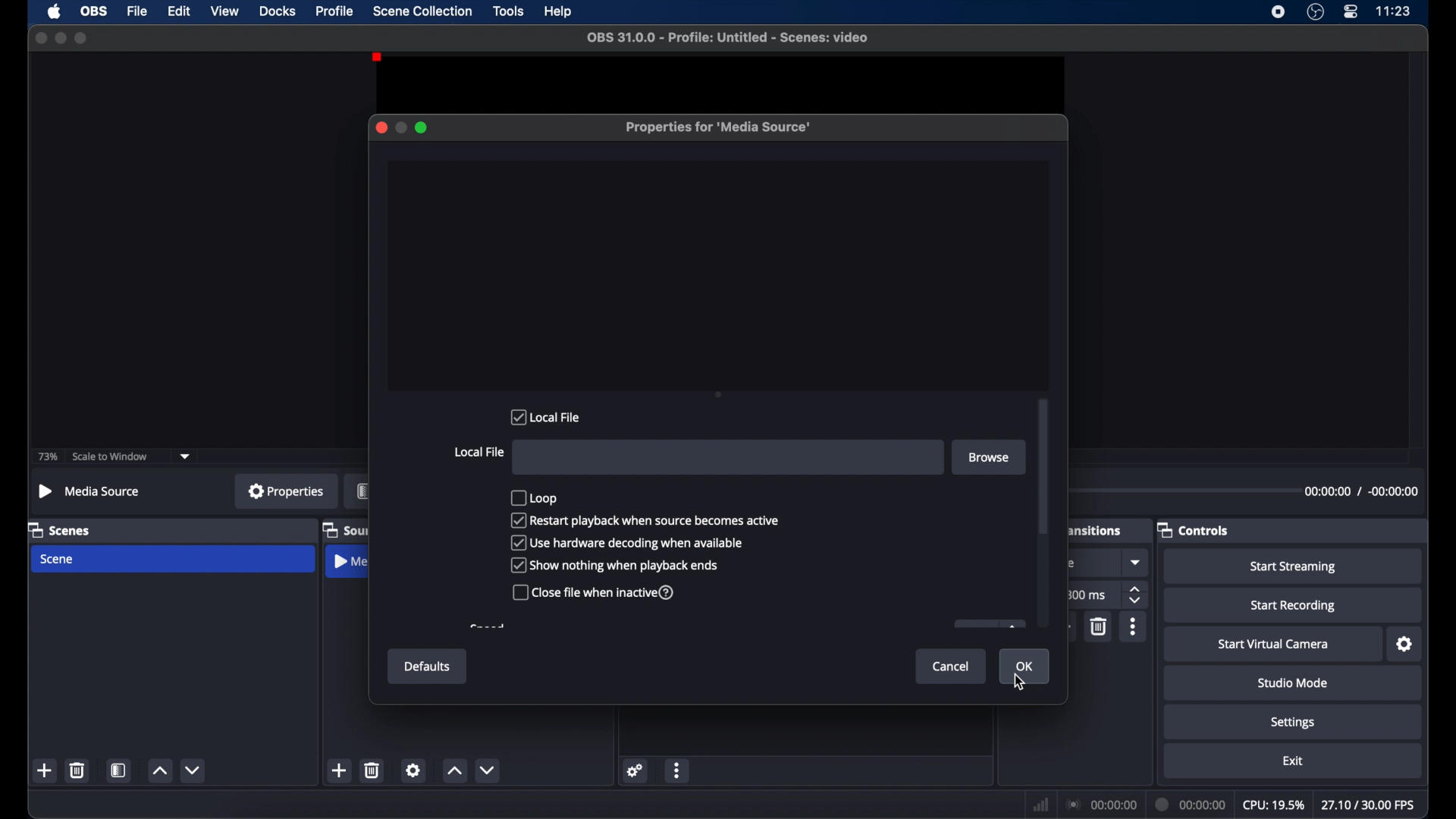 The height and width of the screenshot is (819, 1456). Describe the element at coordinates (363, 491) in the screenshot. I see `filters` at that location.